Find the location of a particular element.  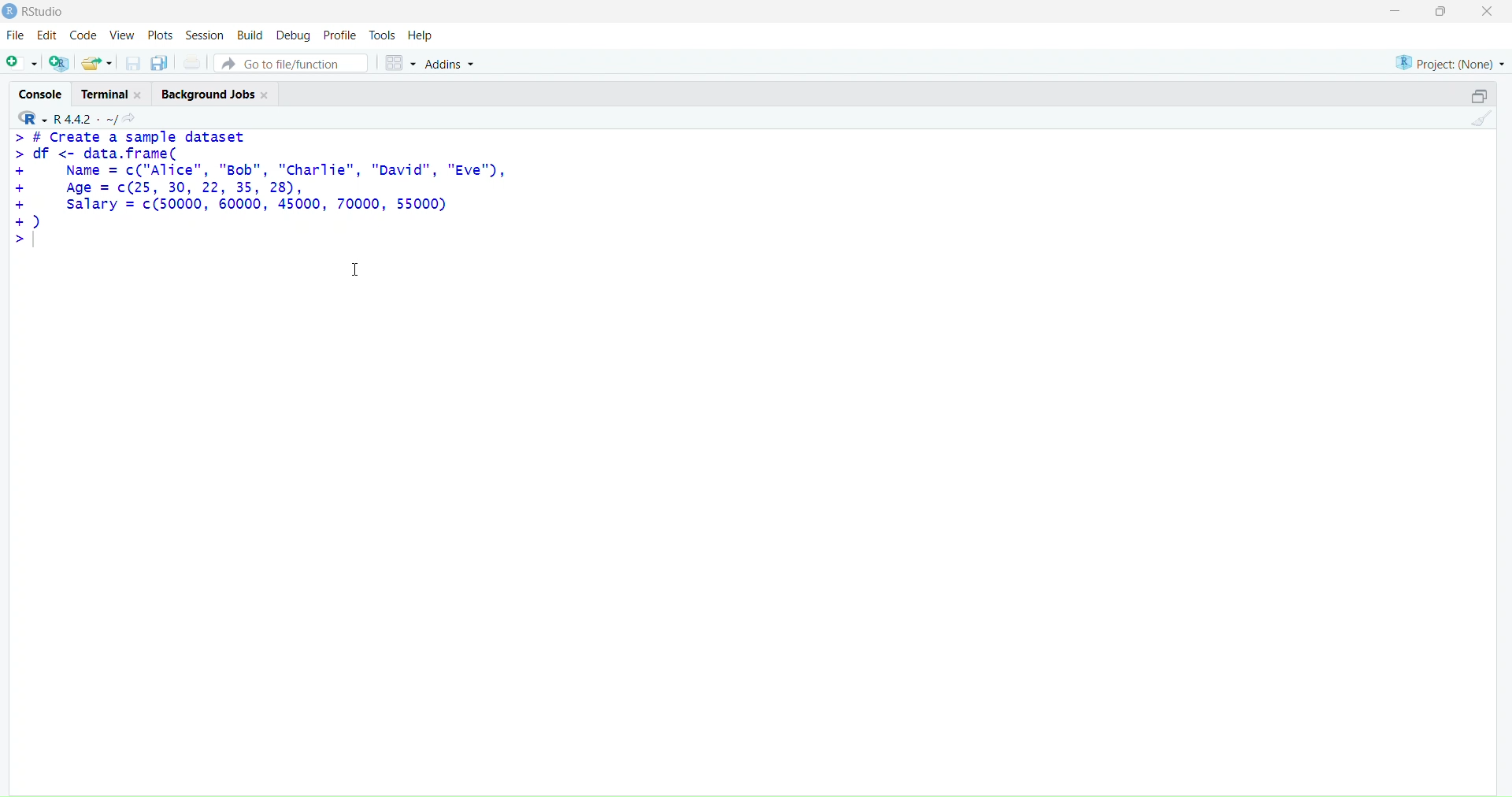

project(None) is located at coordinates (1449, 61).